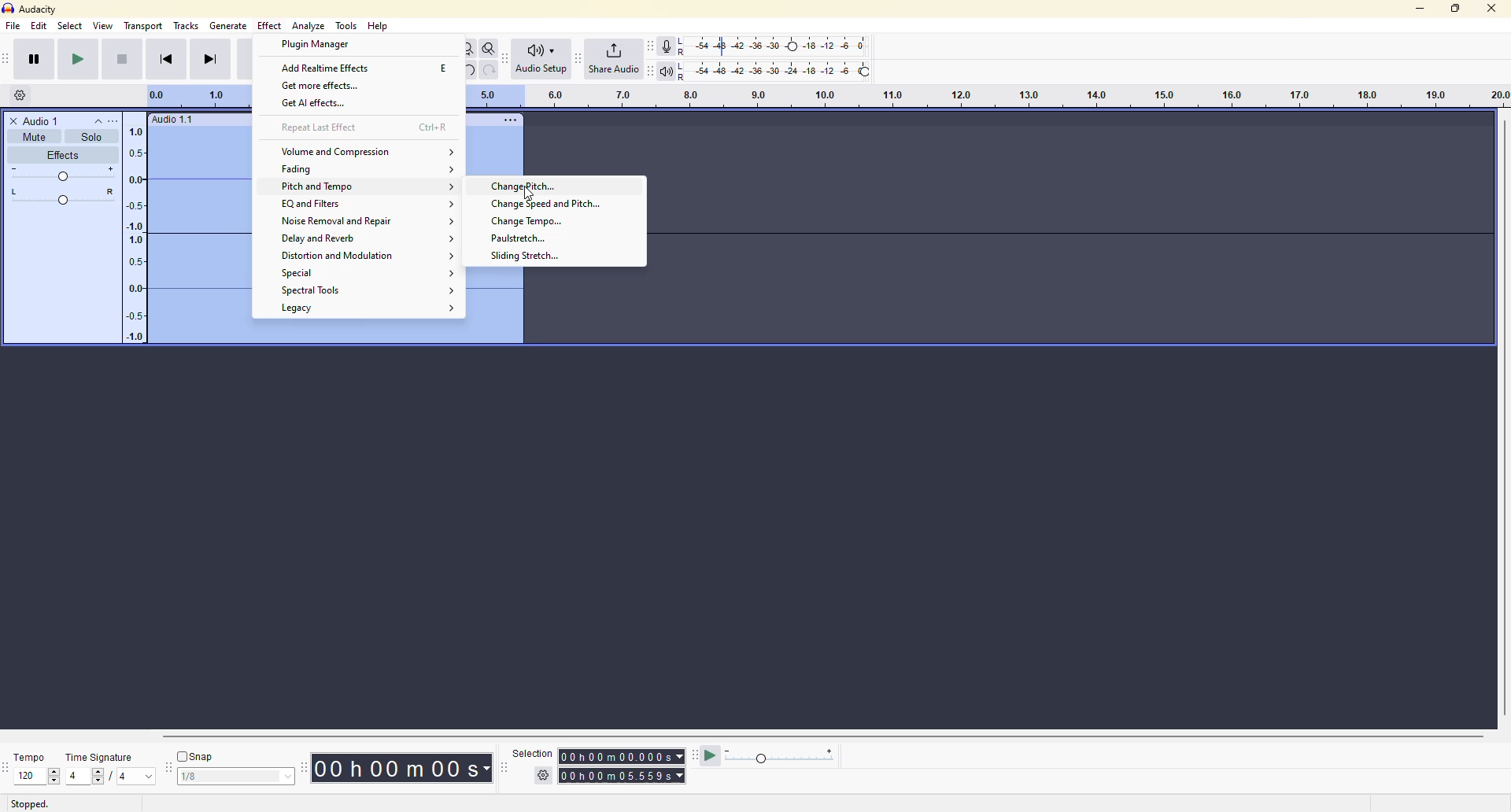 The height and width of the screenshot is (812, 1511). I want to click on 1/8, so click(203, 778).